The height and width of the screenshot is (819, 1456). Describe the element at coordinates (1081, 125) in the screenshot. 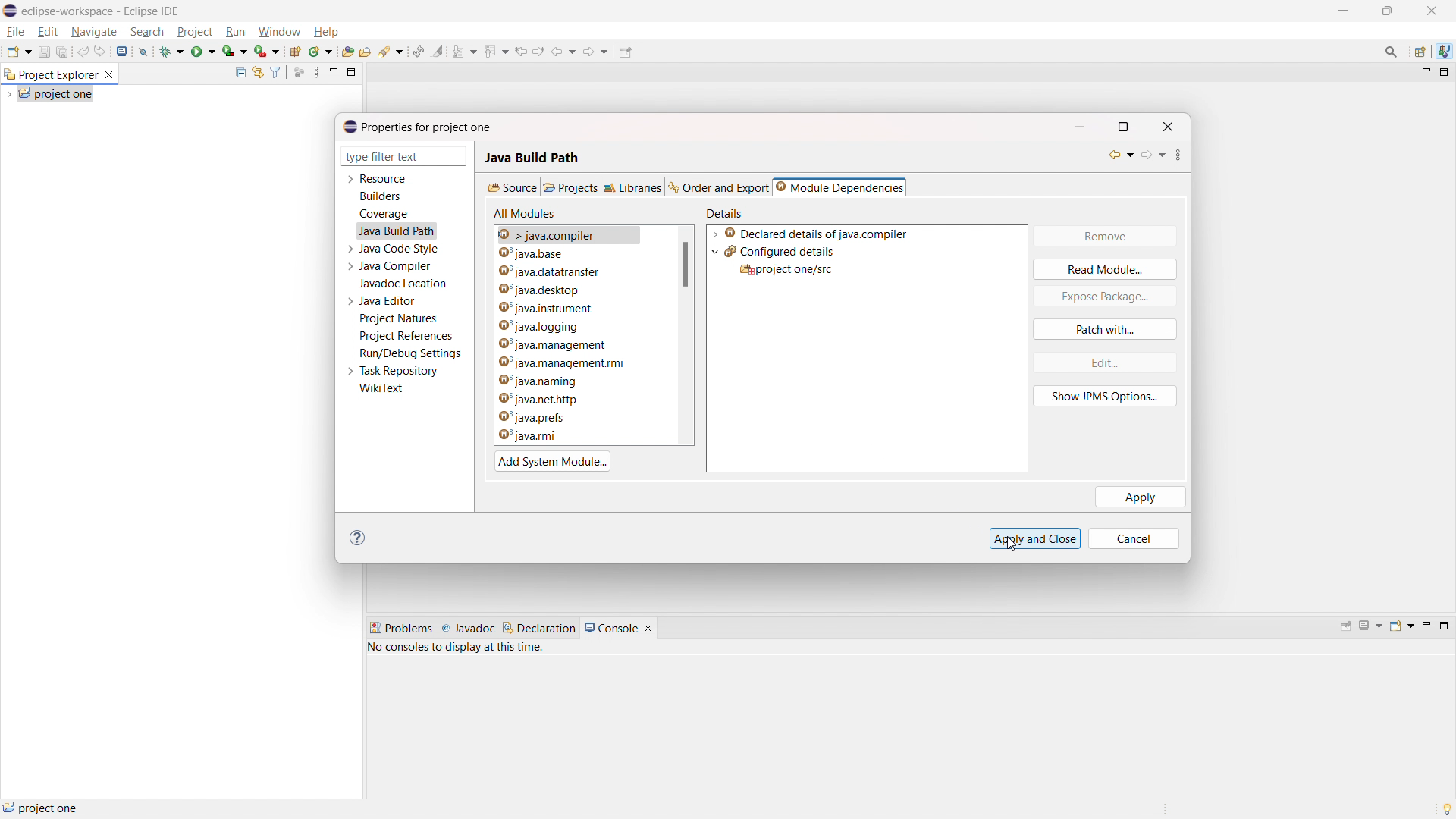

I see `minimize` at that location.